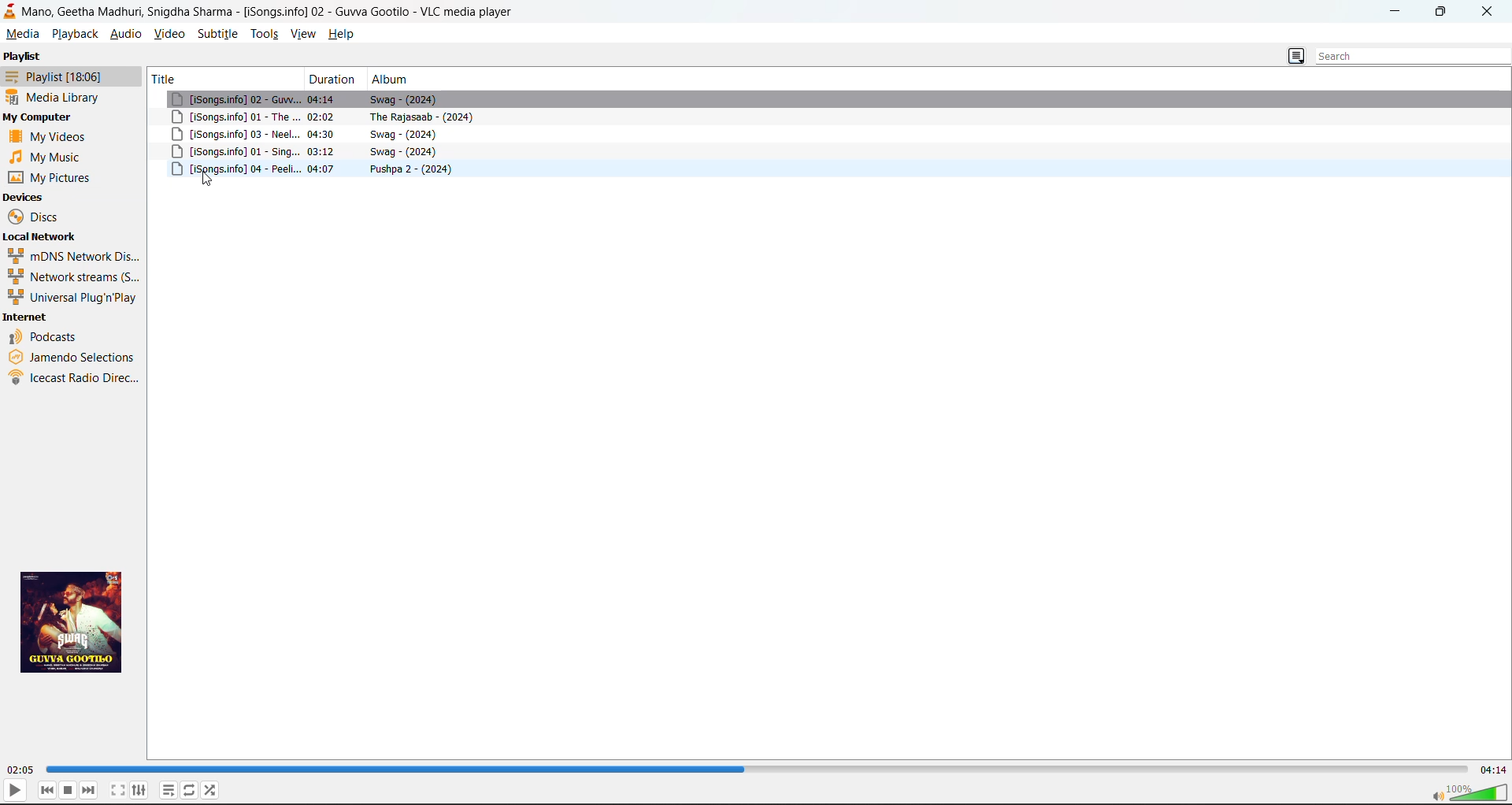  I want to click on view, so click(304, 33).